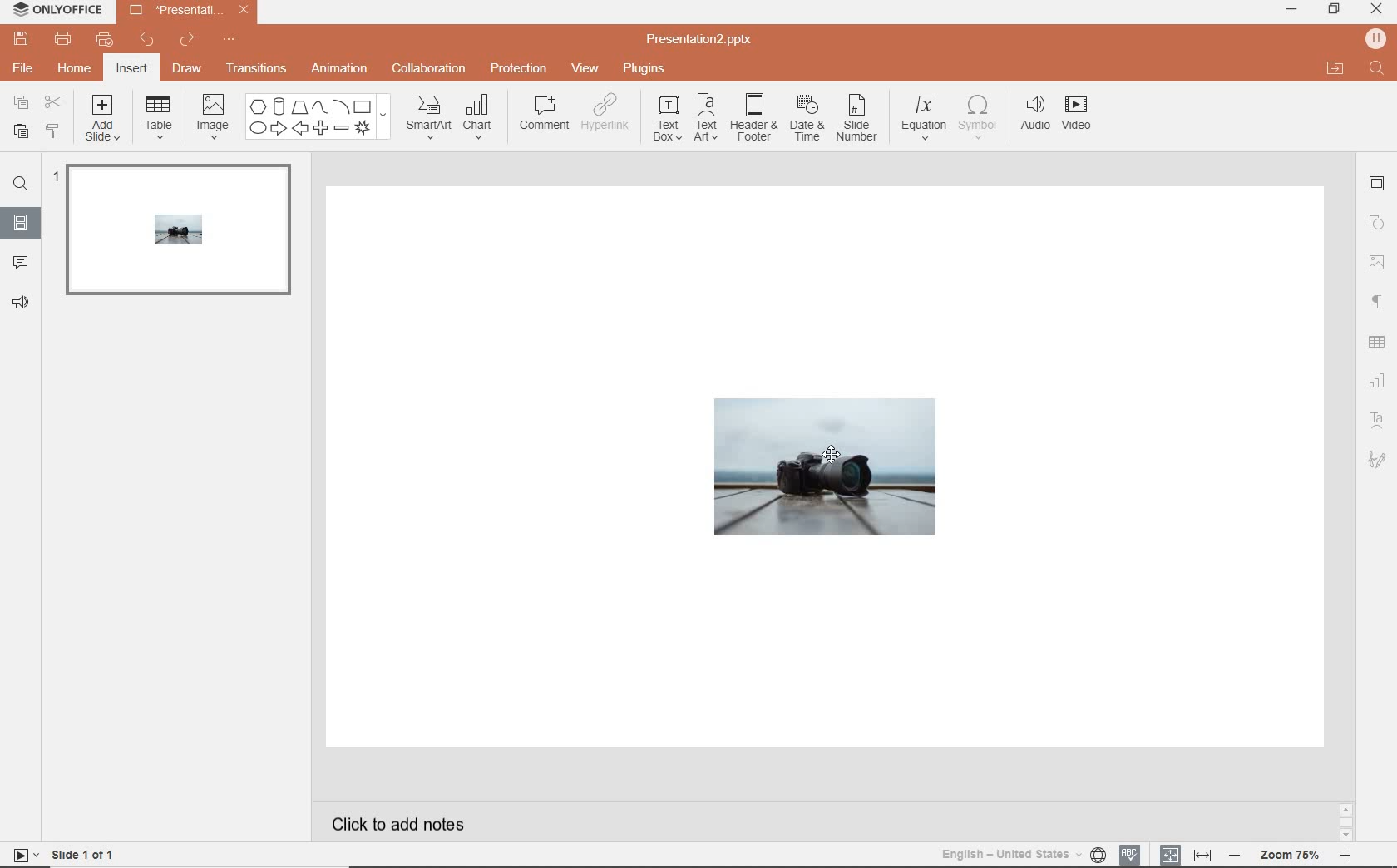 This screenshot has width=1397, height=868. What do you see at coordinates (1346, 821) in the screenshot?
I see `scrollbar` at bounding box center [1346, 821].